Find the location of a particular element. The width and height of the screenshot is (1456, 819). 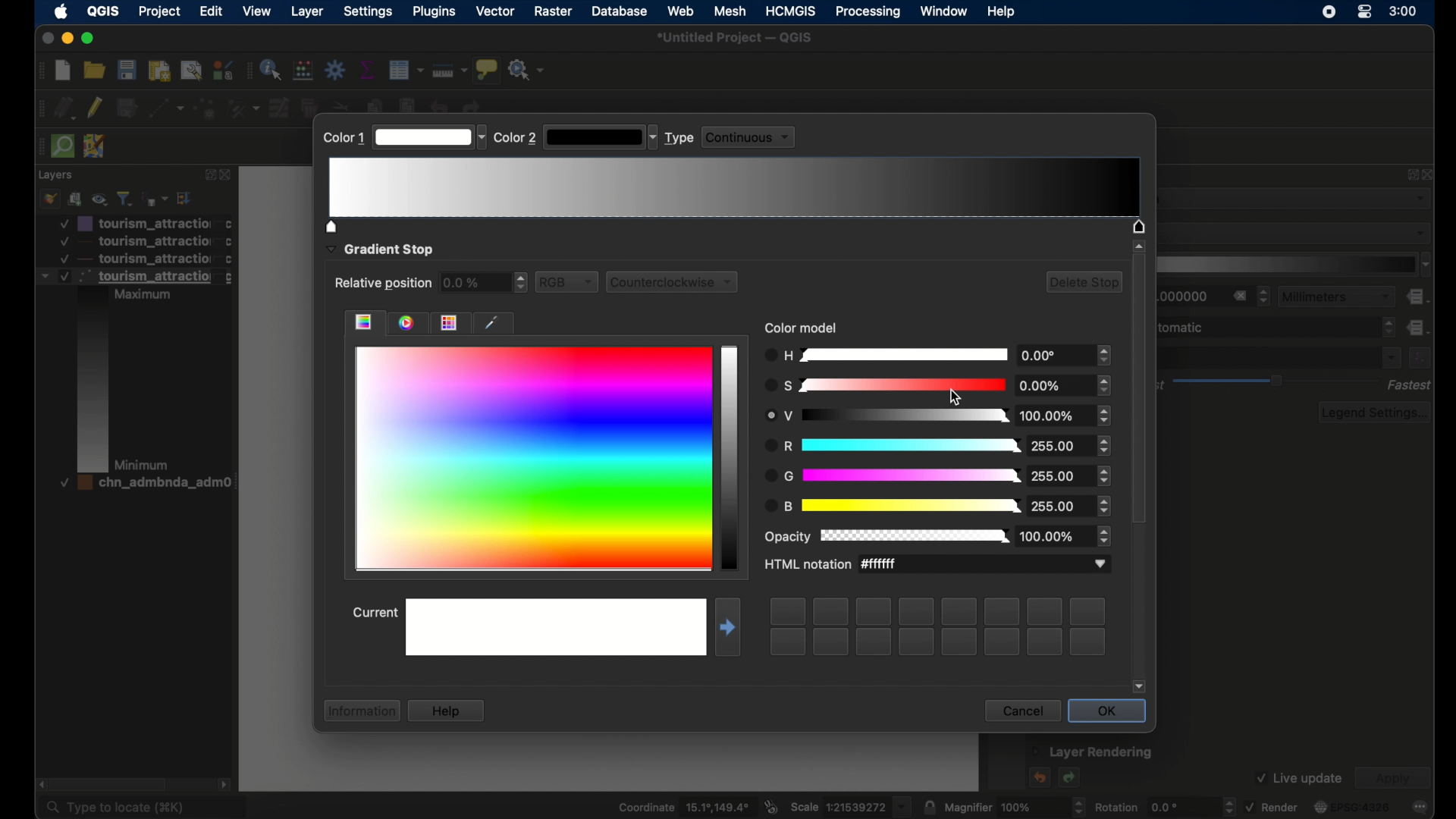

legend settings is located at coordinates (1376, 413).